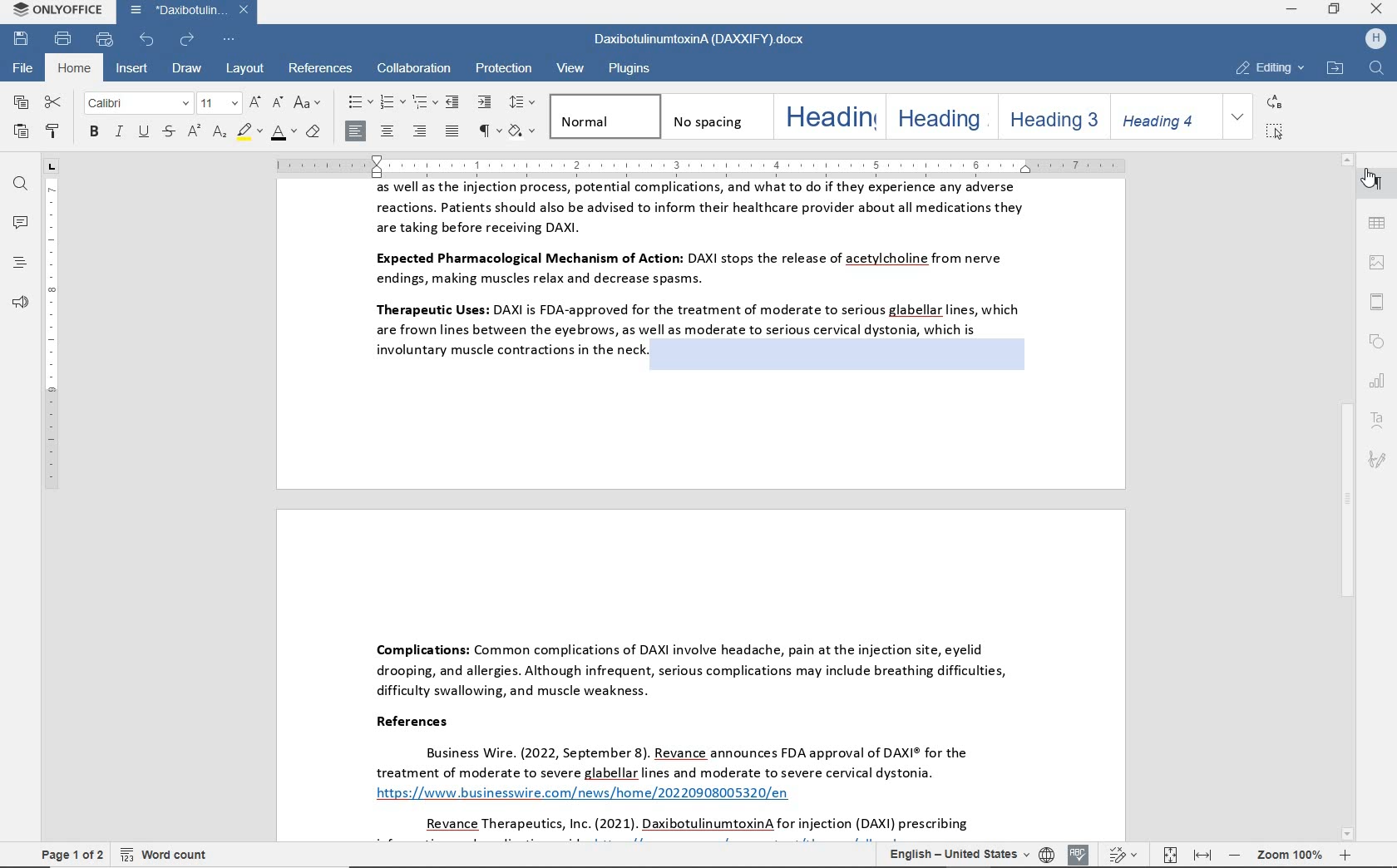  I want to click on superscript, so click(193, 133).